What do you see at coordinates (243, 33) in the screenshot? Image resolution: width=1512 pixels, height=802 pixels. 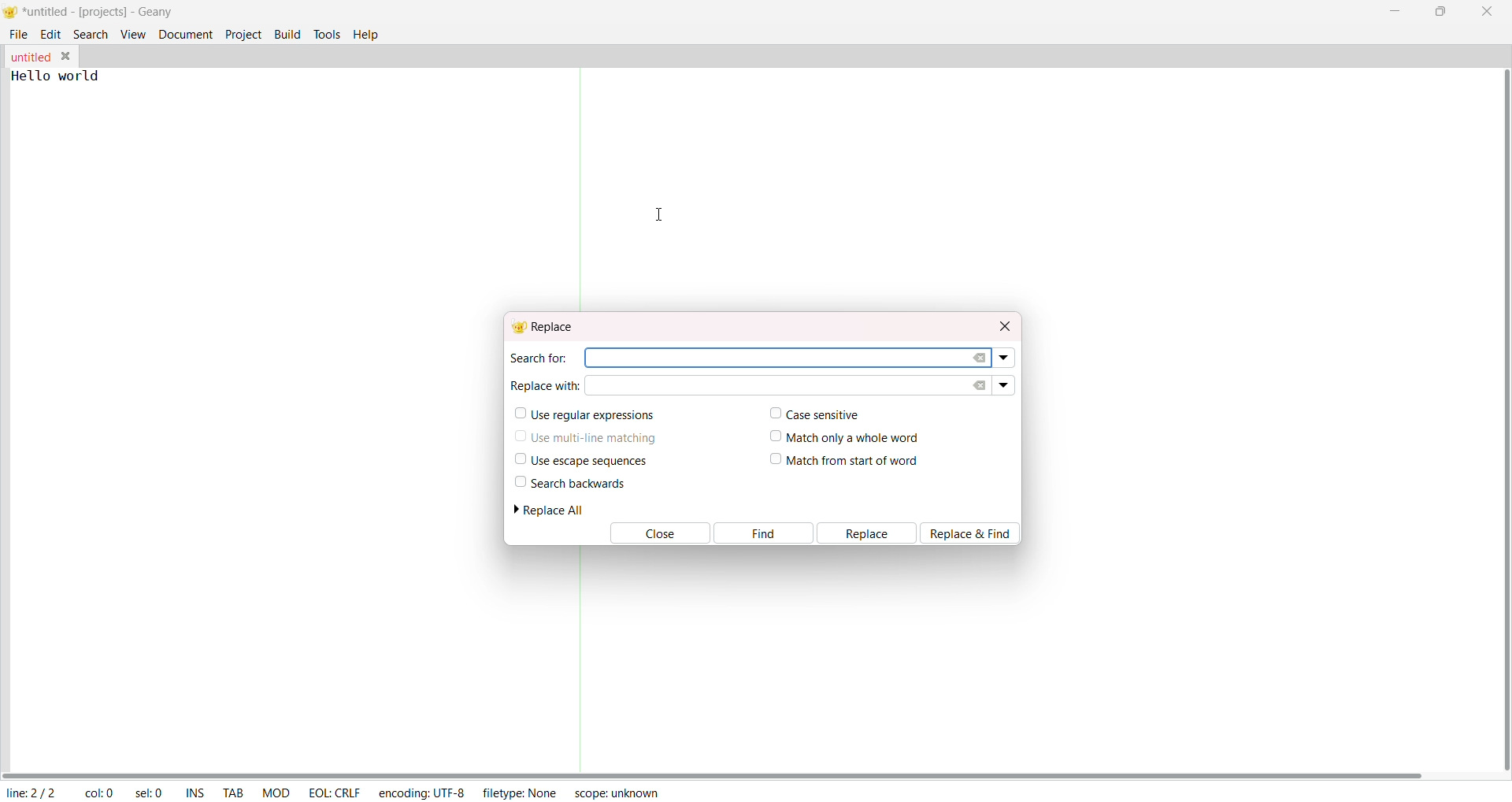 I see `project` at bounding box center [243, 33].